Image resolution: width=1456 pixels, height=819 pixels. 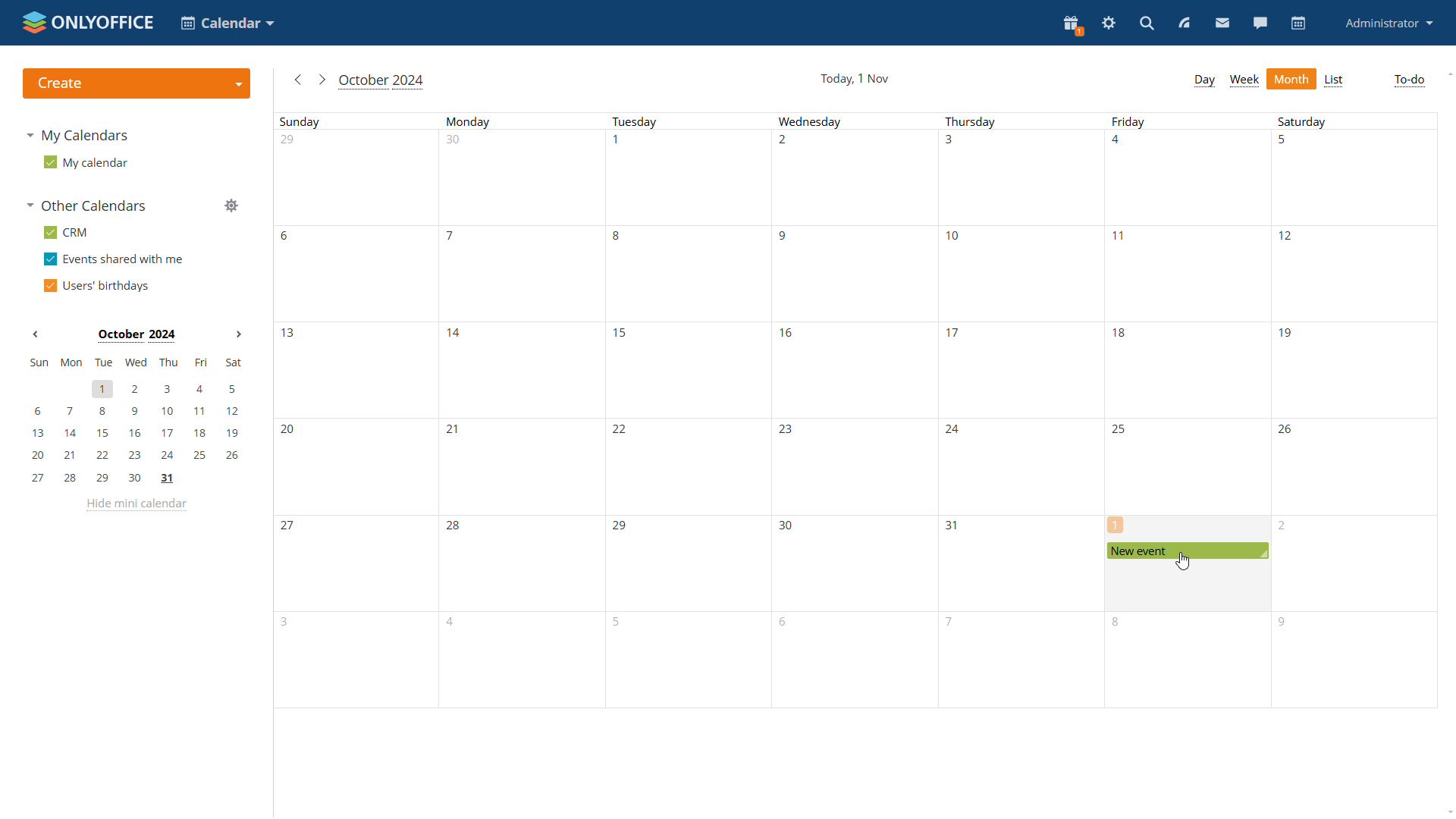 What do you see at coordinates (1299, 24) in the screenshot?
I see `calendar` at bounding box center [1299, 24].